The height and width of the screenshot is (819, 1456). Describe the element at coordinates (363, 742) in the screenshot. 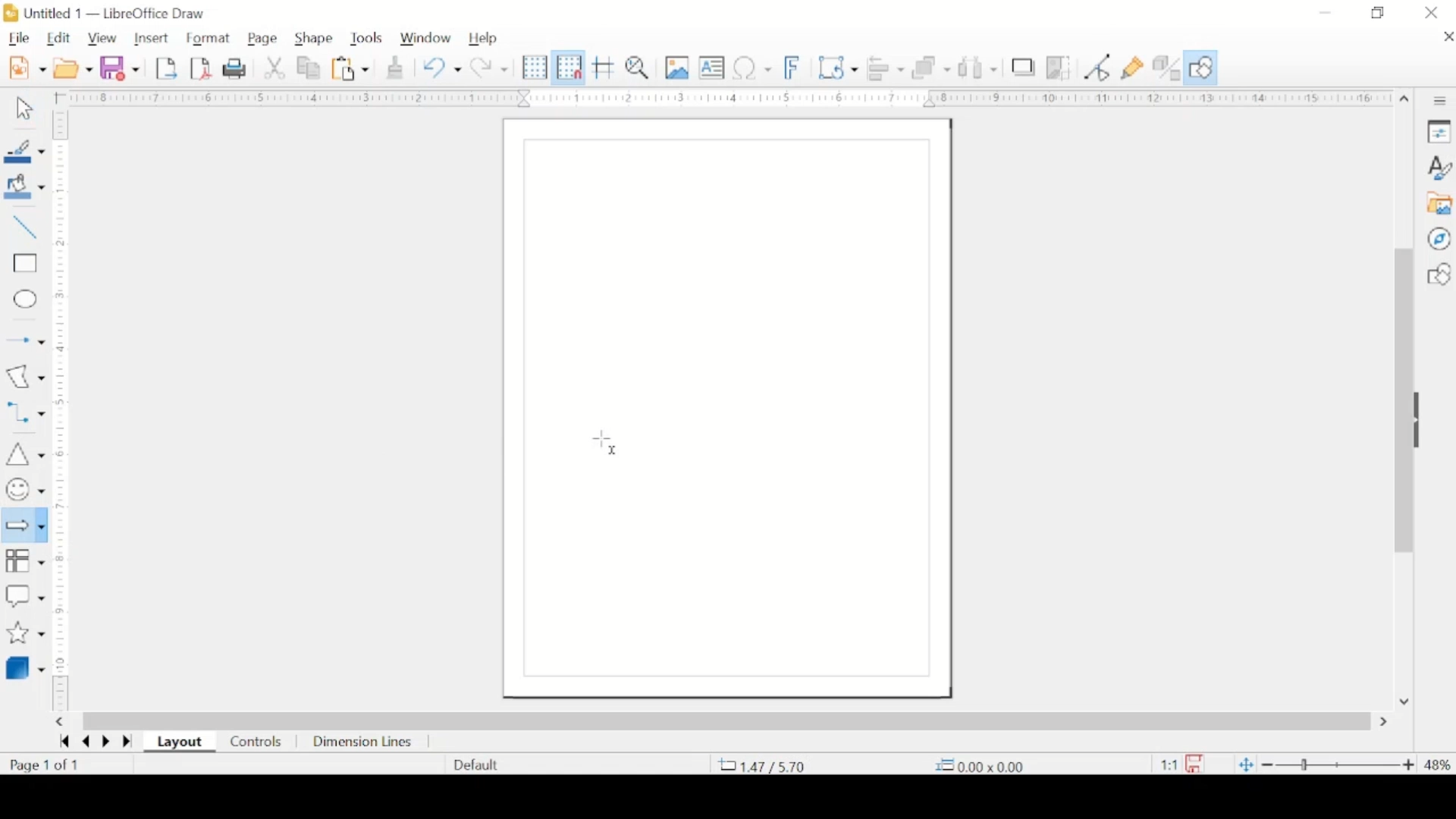

I see `dimension lines` at that location.